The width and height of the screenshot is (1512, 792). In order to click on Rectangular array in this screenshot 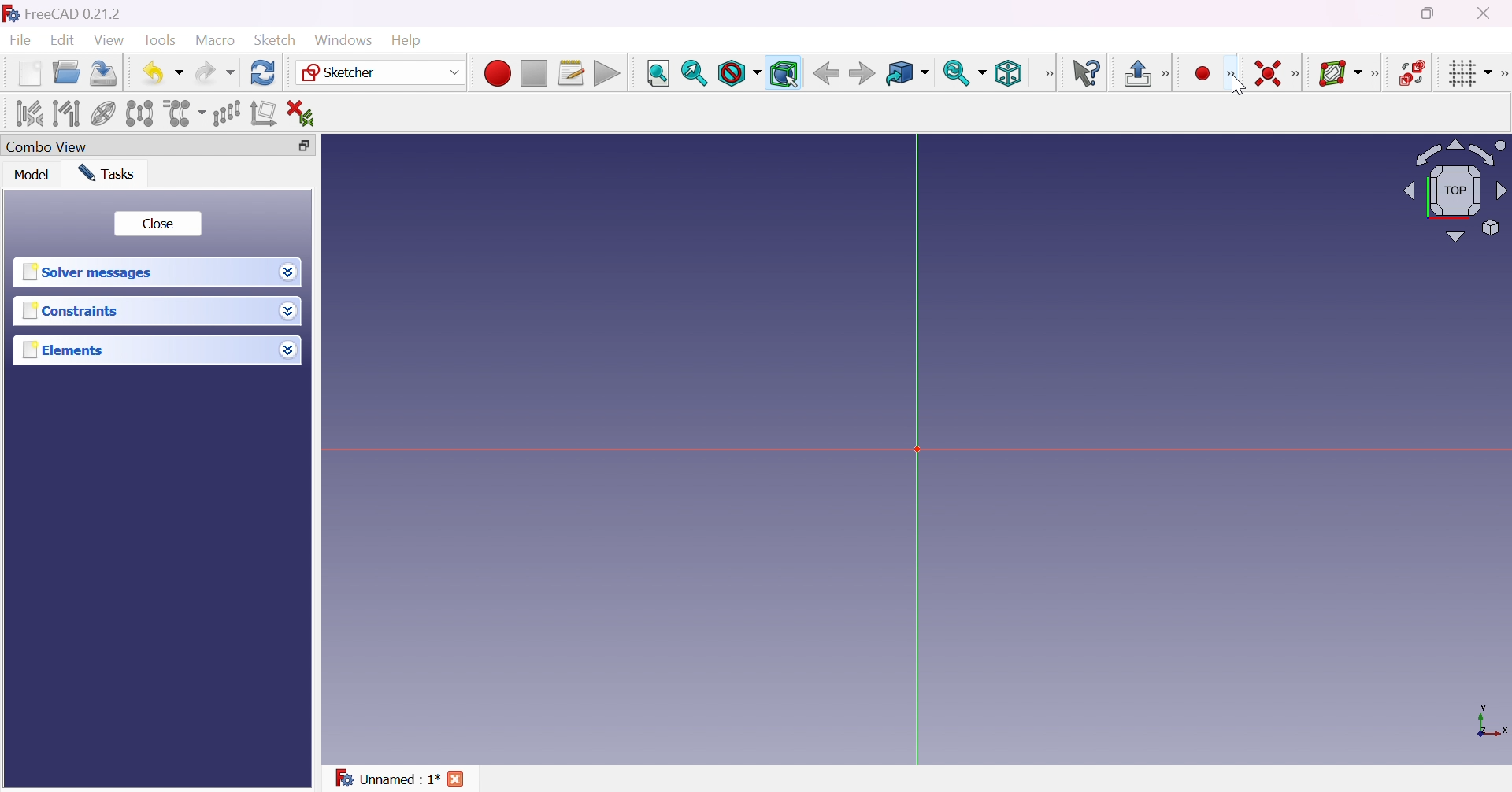, I will do `click(227, 113)`.